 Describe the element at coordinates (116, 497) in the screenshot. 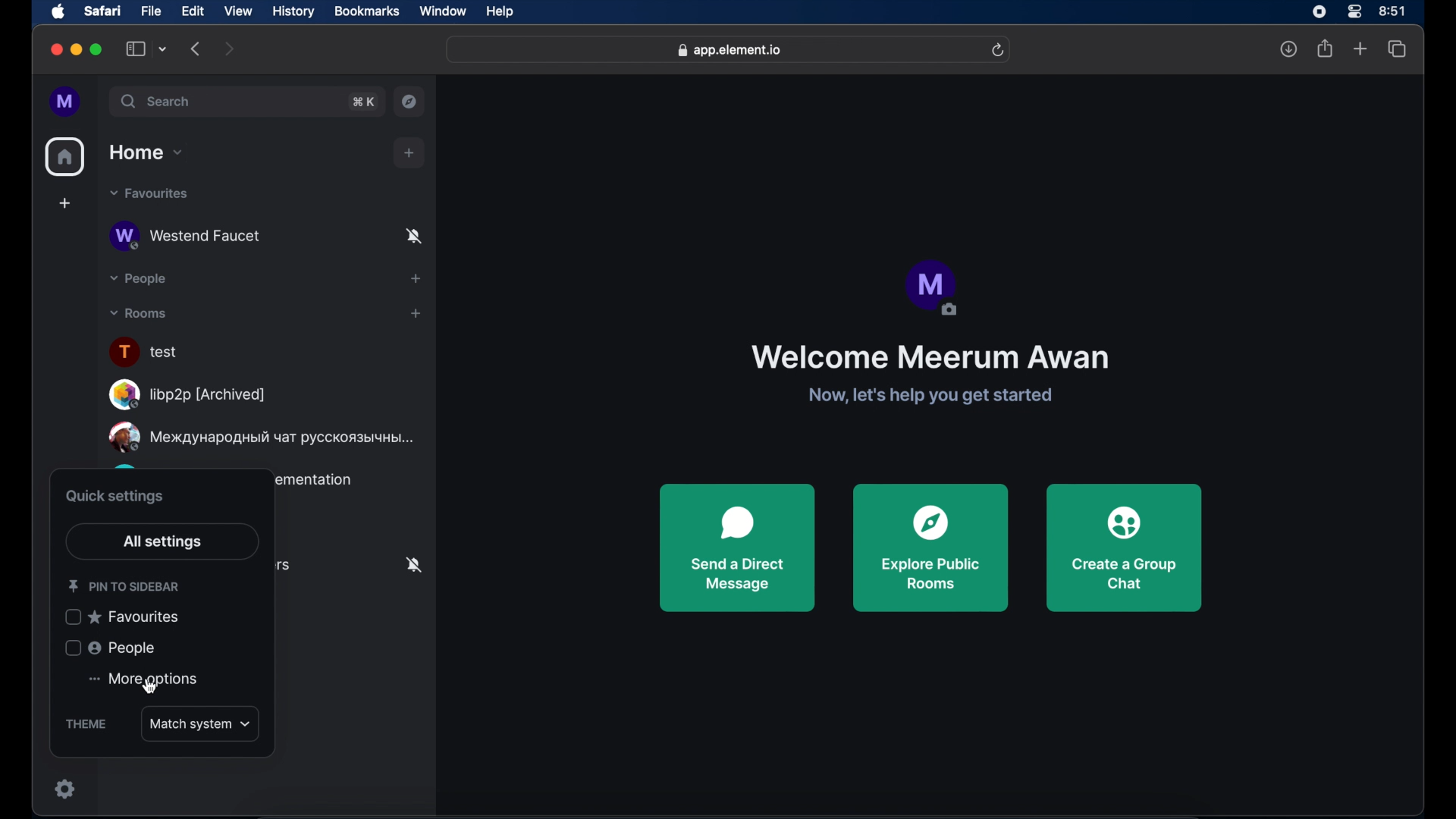

I see `quick settings` at that location.